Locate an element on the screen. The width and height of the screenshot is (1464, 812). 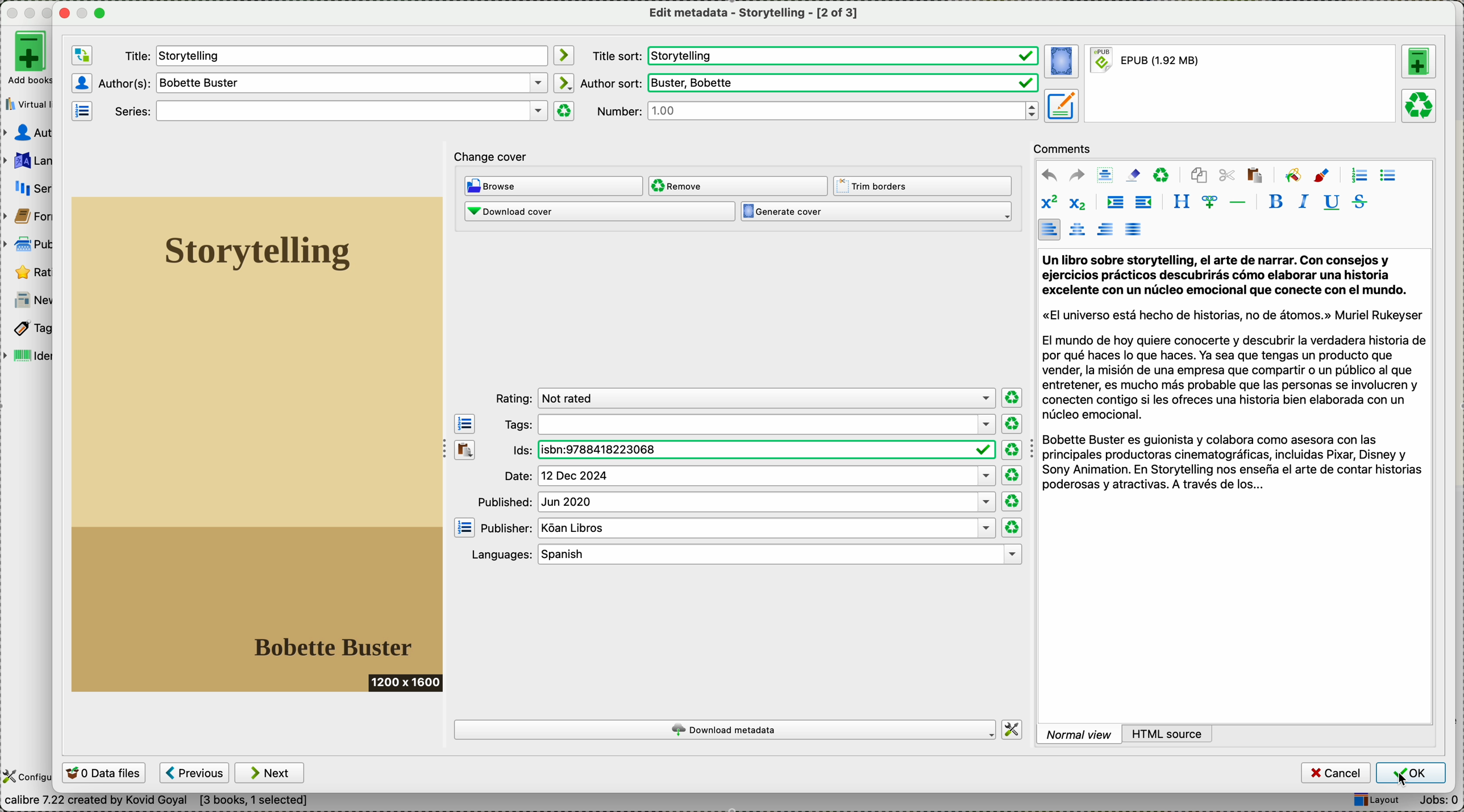
clear date is located at coordinates (1013, 424).